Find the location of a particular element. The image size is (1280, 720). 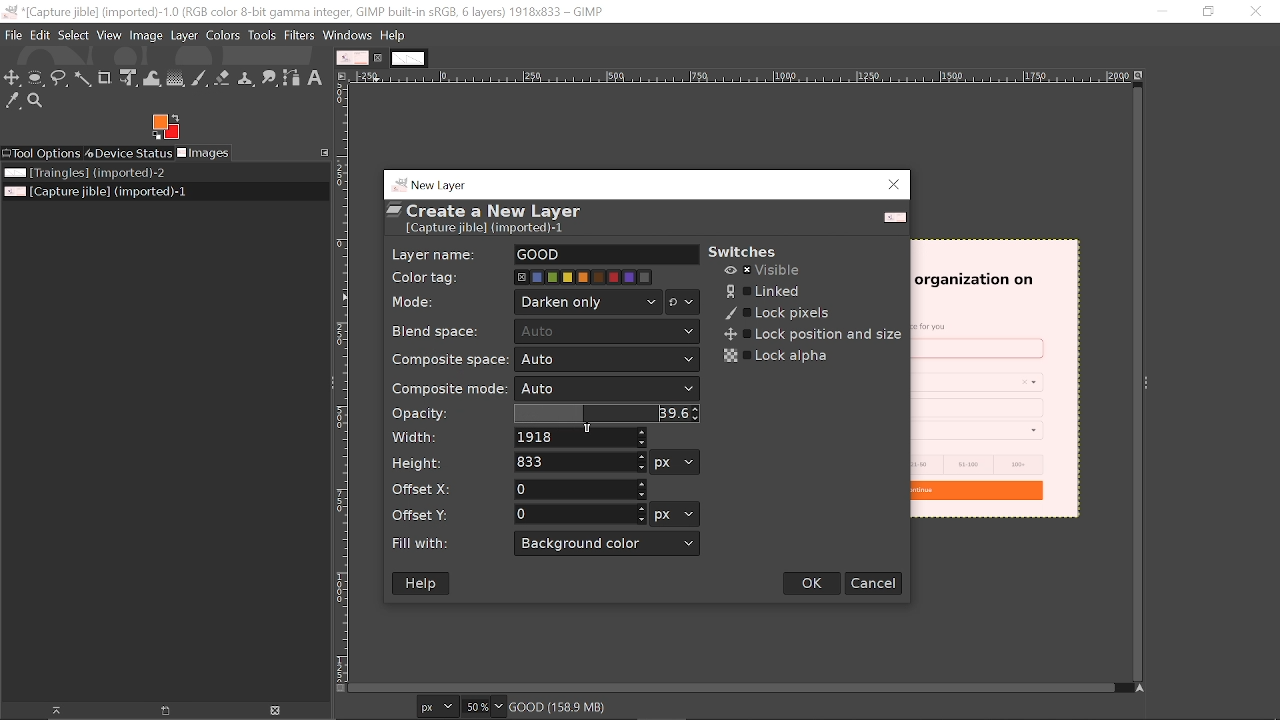

current image is located at coordinates (996, 381).